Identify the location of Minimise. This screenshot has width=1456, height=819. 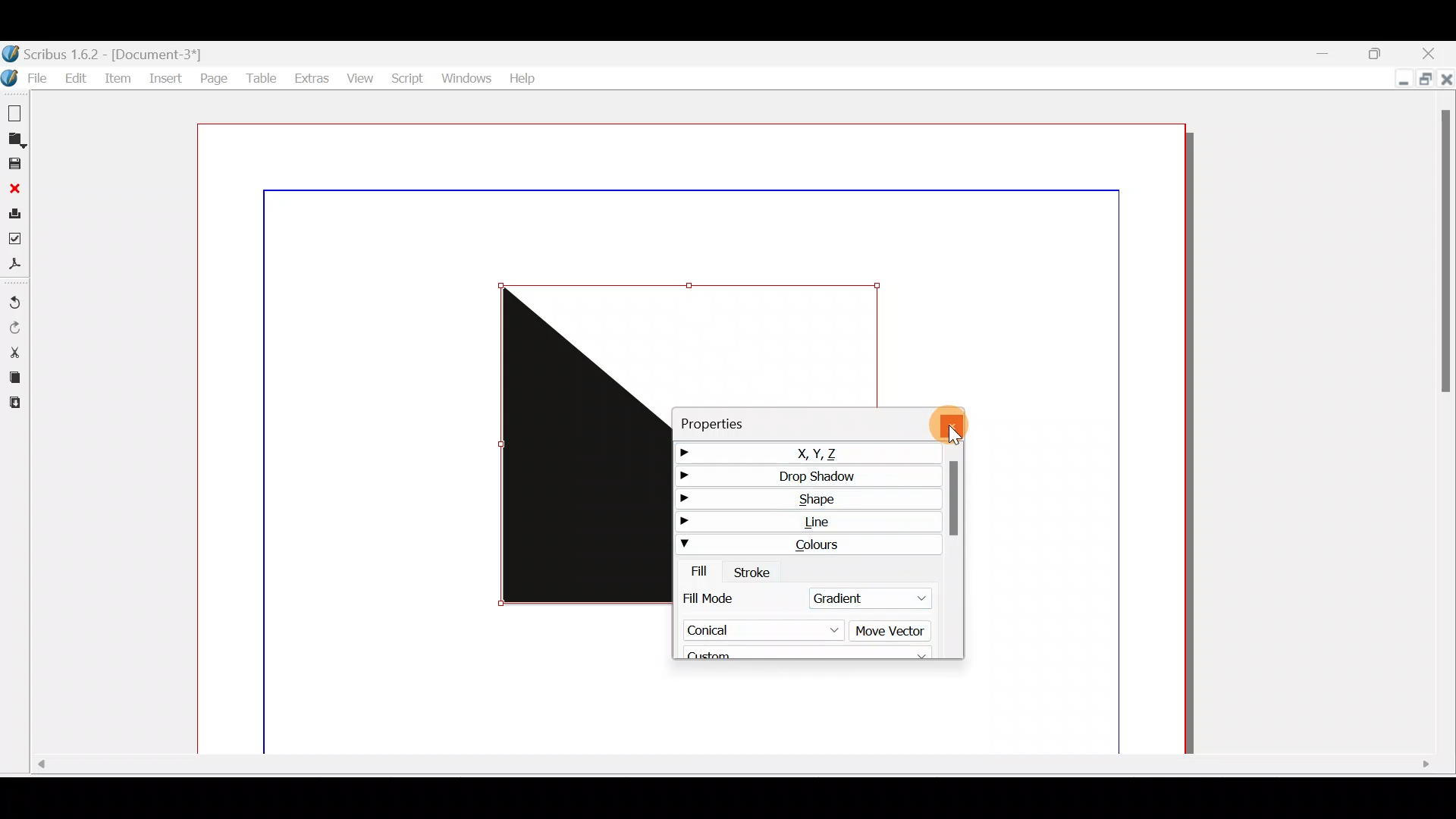
(1323, 52).